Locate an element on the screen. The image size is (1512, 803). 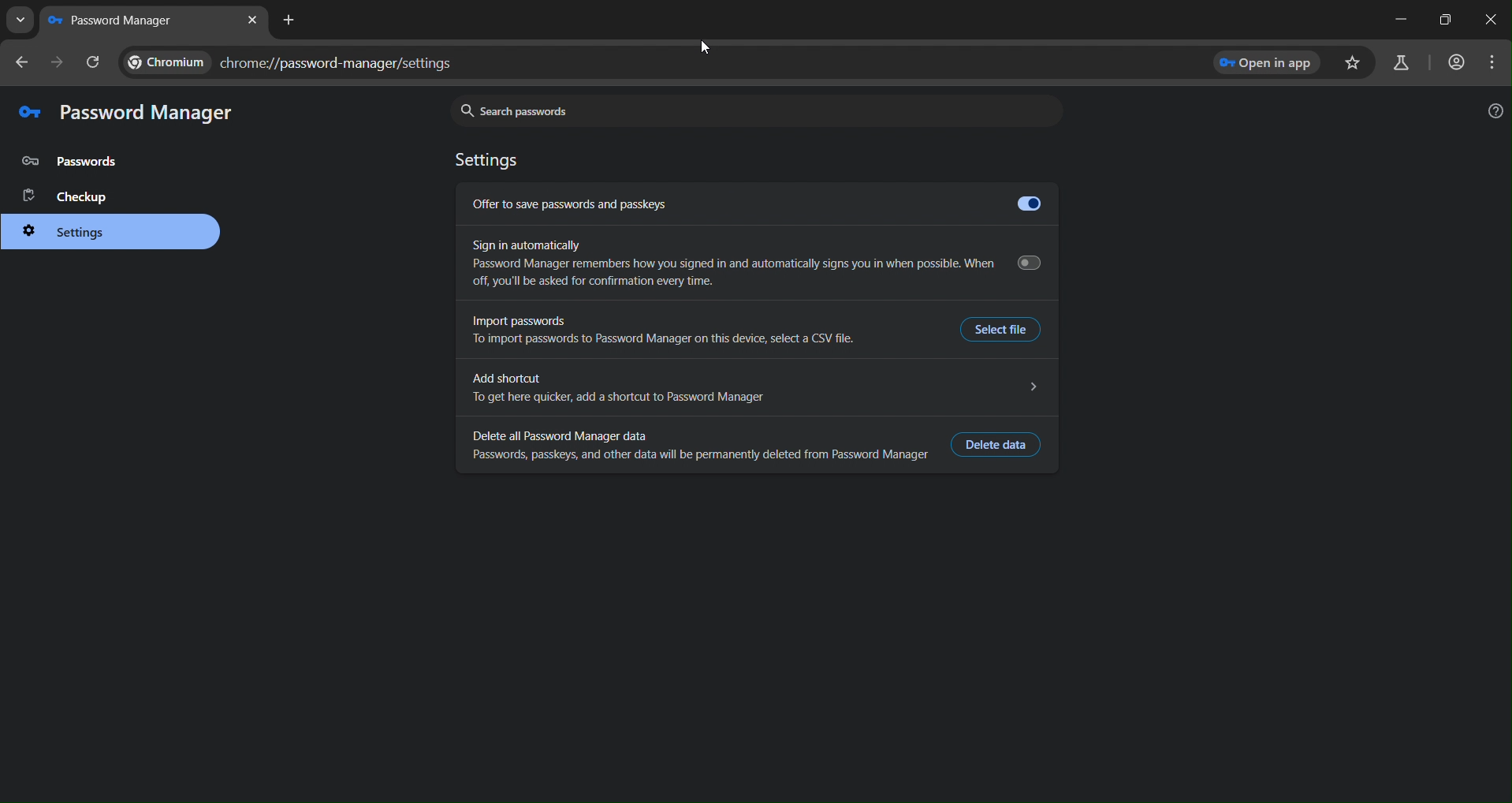
settings is located at coordinates (78, 233).